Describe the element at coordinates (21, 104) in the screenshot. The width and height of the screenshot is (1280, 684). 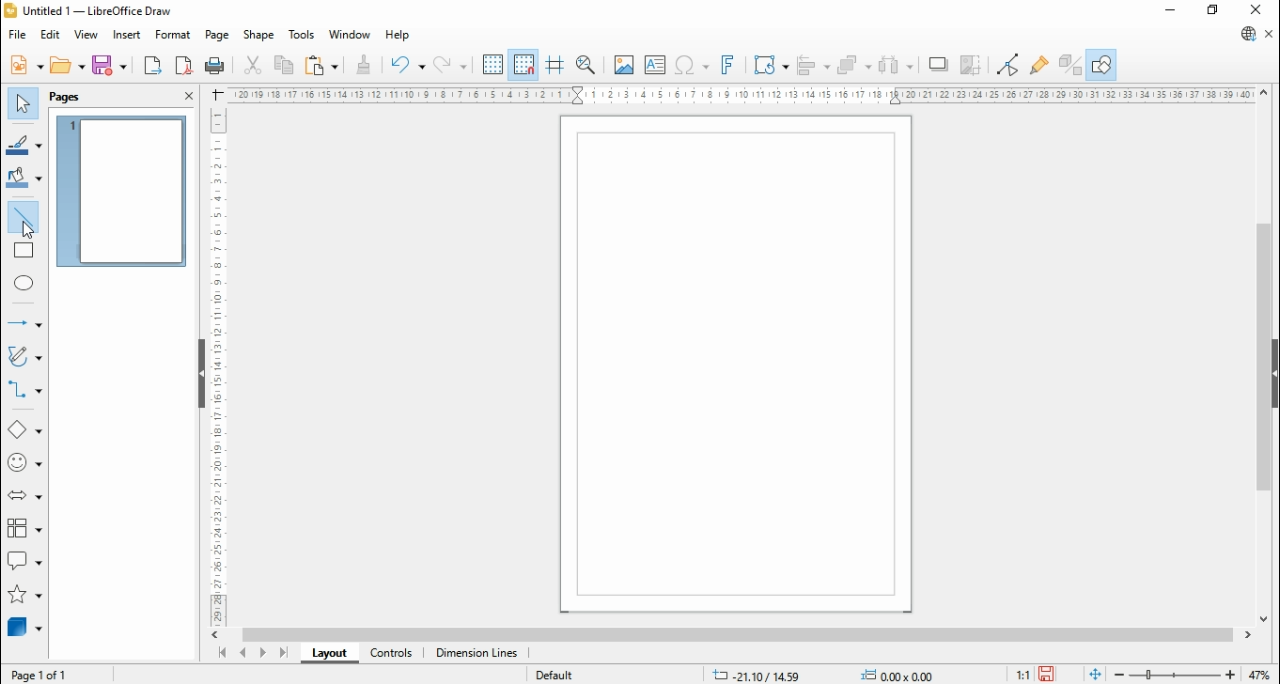
I see `select` at that location.